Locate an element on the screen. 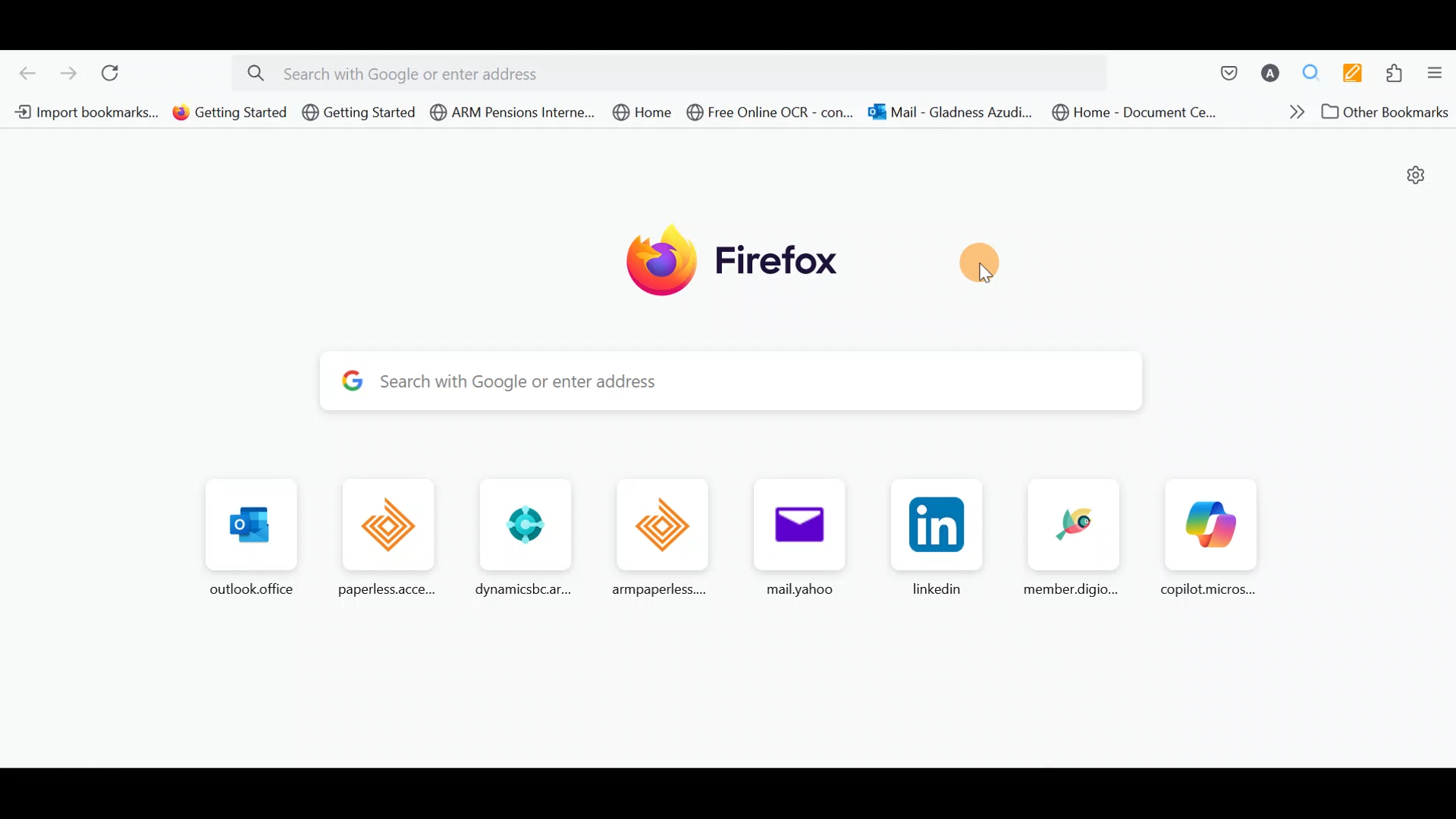 Image resolution: width=1456 pixels, height=819 pixels. Frequently browsed pages is located at coordinates (729, 537).